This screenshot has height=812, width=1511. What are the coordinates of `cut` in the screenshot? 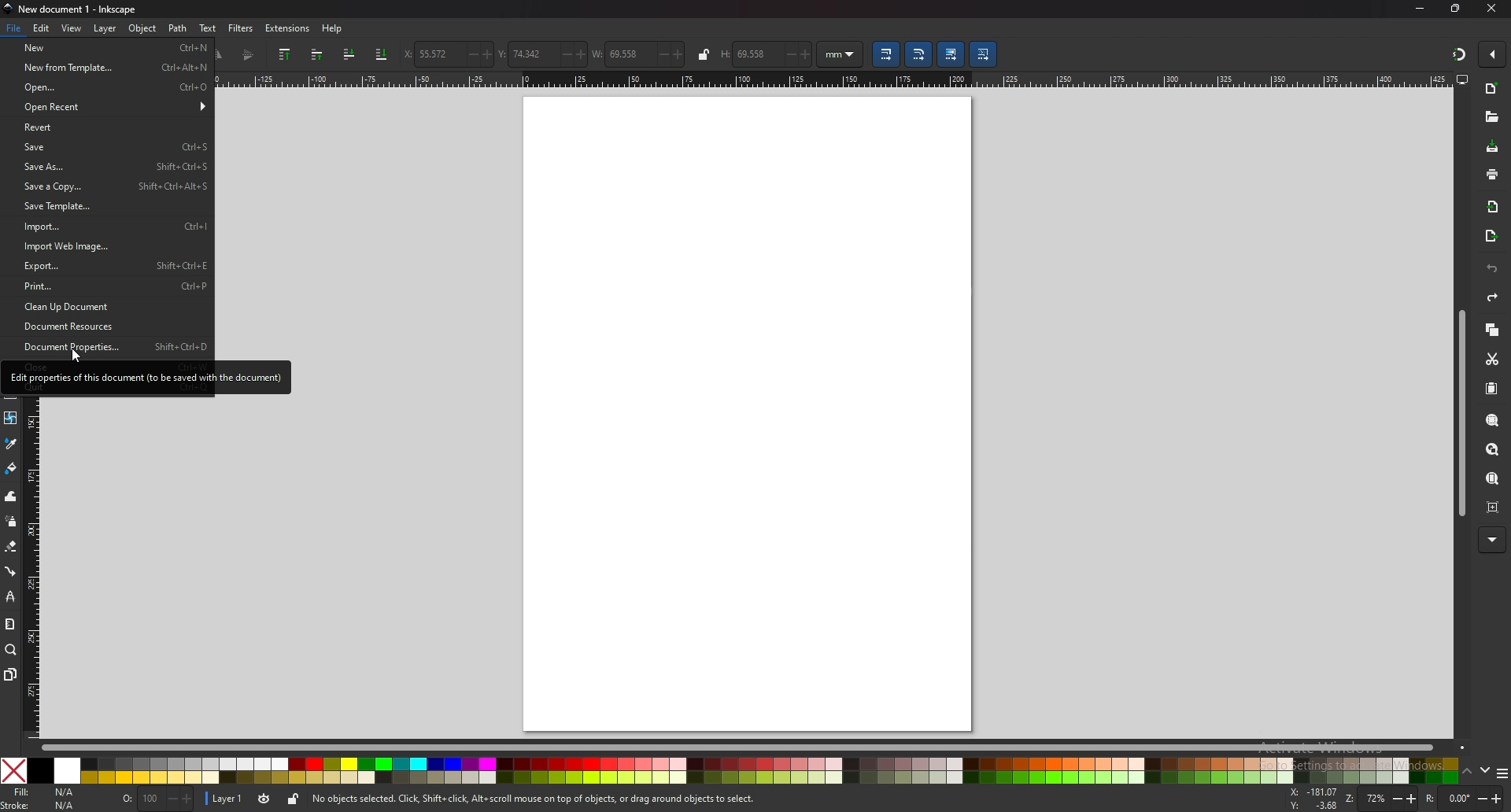 It's located at (1492, 360).